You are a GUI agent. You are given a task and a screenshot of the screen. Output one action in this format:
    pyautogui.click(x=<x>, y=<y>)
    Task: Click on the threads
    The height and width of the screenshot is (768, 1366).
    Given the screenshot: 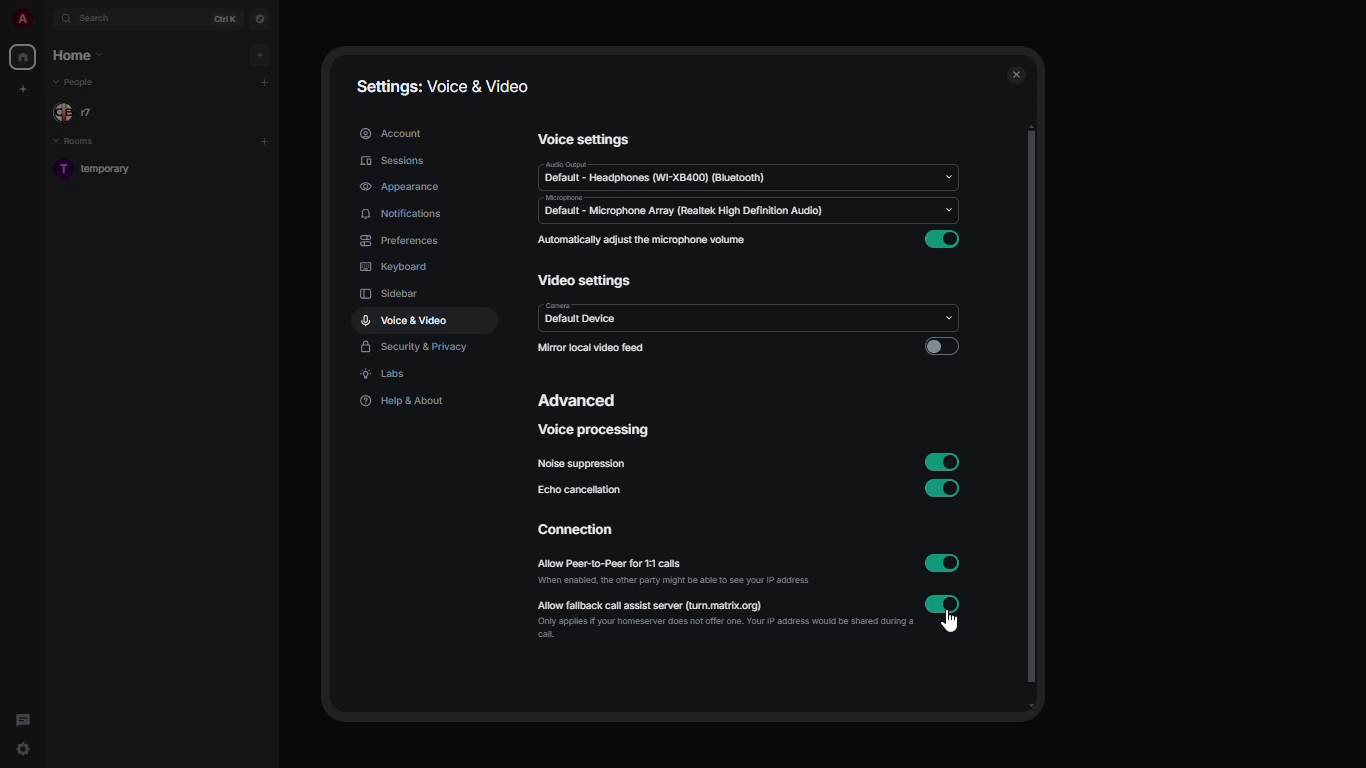 What is the action you would take?
    pyautogui.click(x=20, y=716)
    